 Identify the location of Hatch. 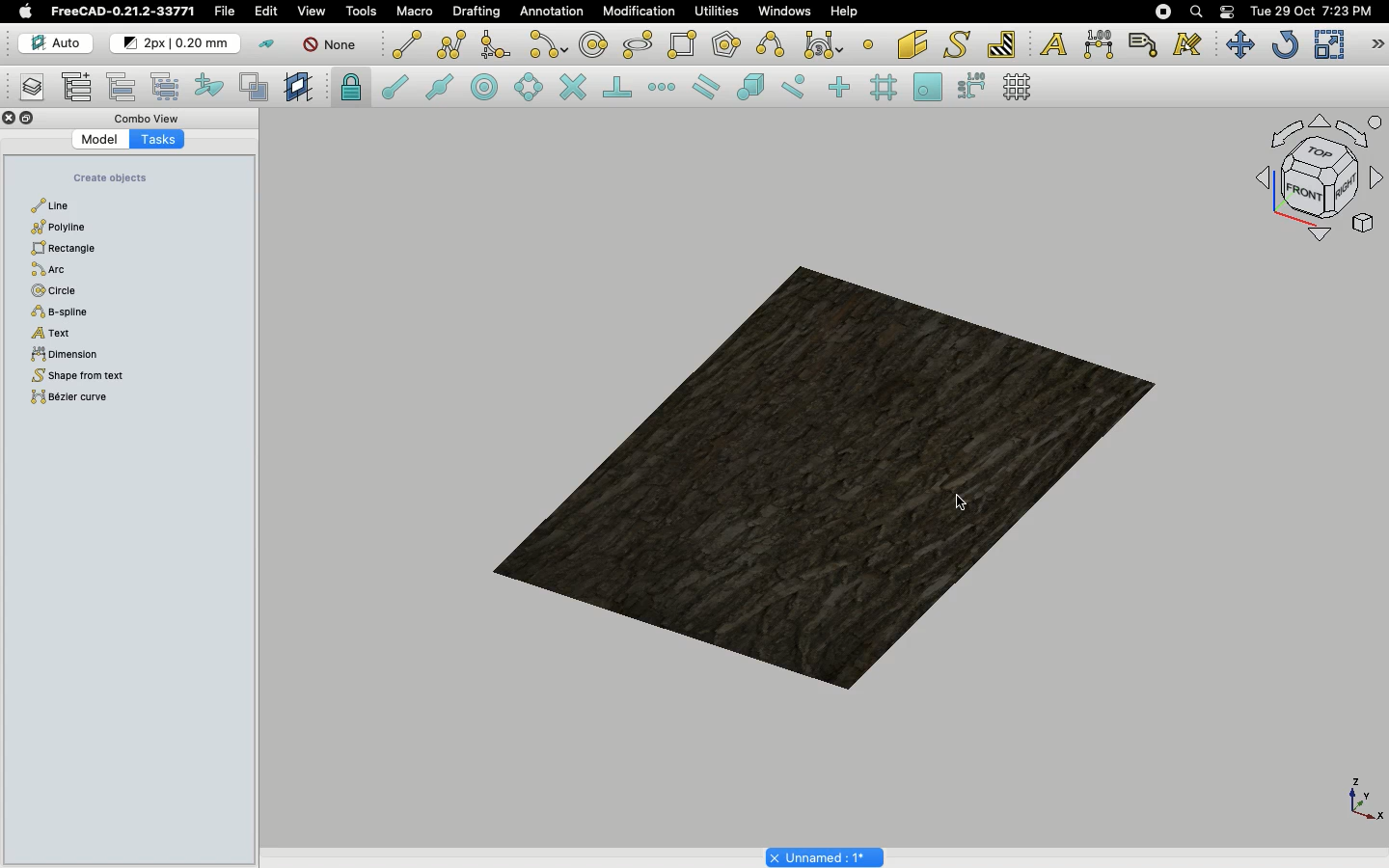
(1003, 42).